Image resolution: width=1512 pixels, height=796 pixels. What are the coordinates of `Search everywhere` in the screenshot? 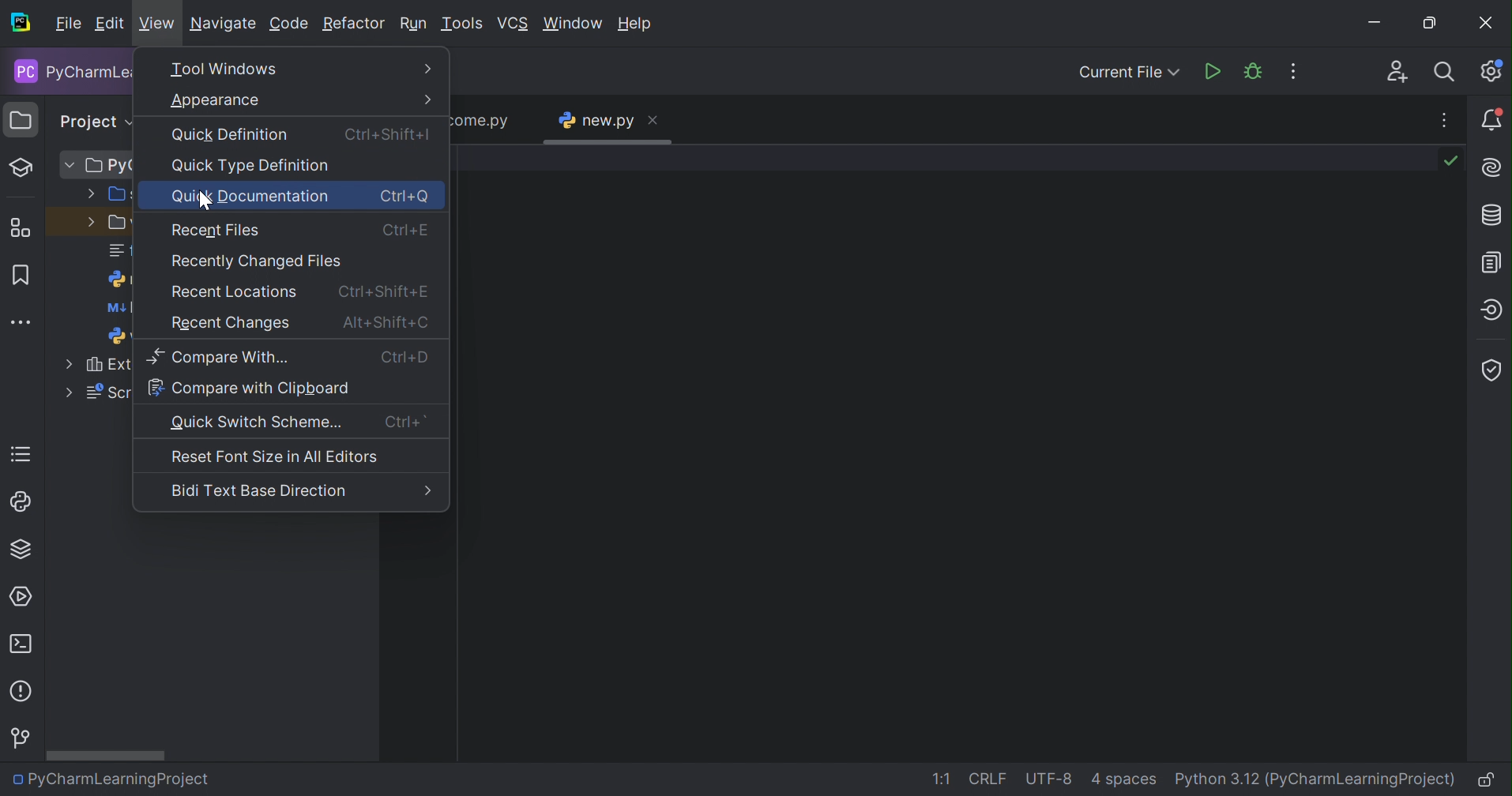 It's located at (1446, 74).